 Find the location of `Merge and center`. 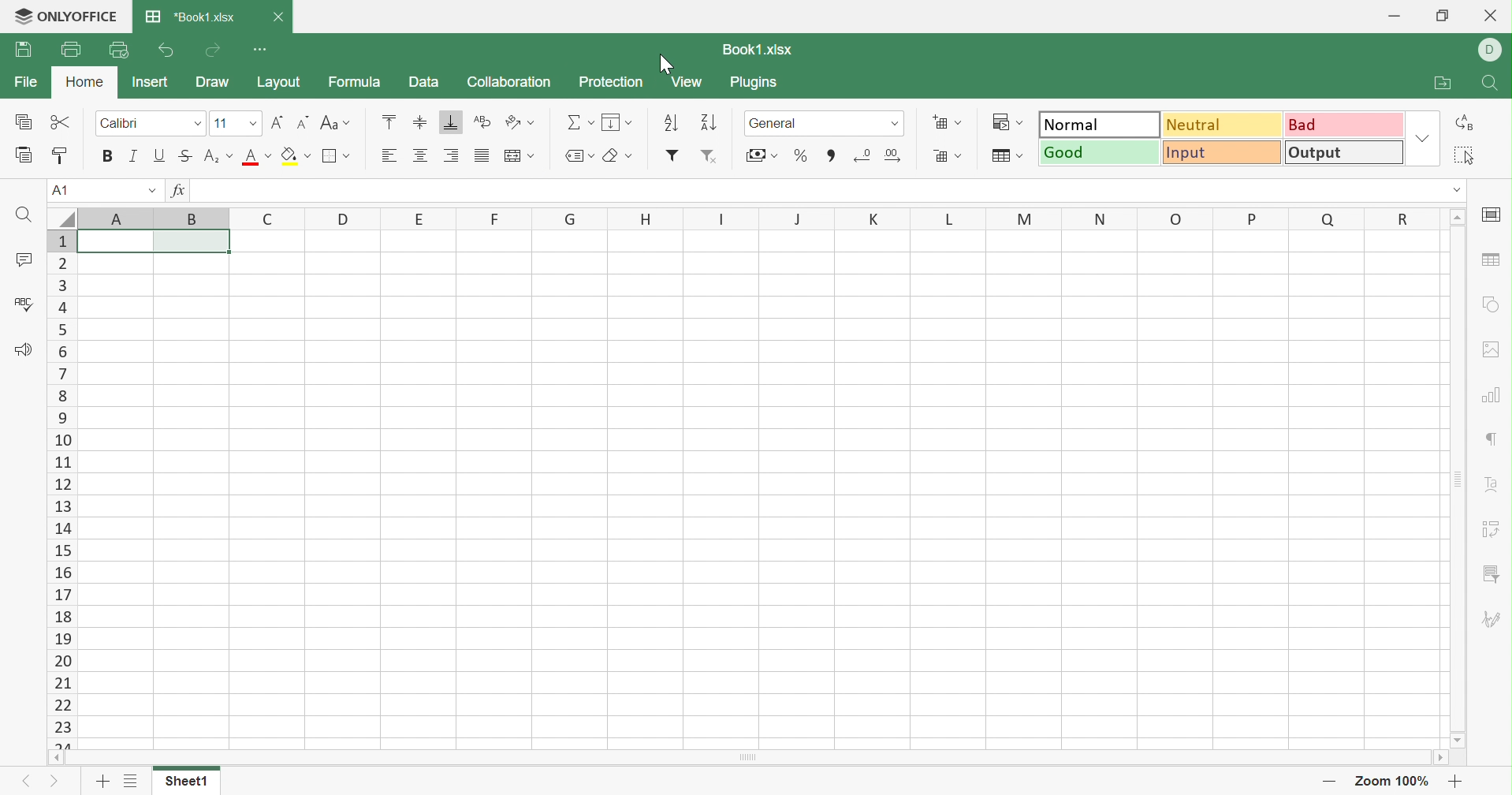

Merge and center is located at coordinates (523, 155).